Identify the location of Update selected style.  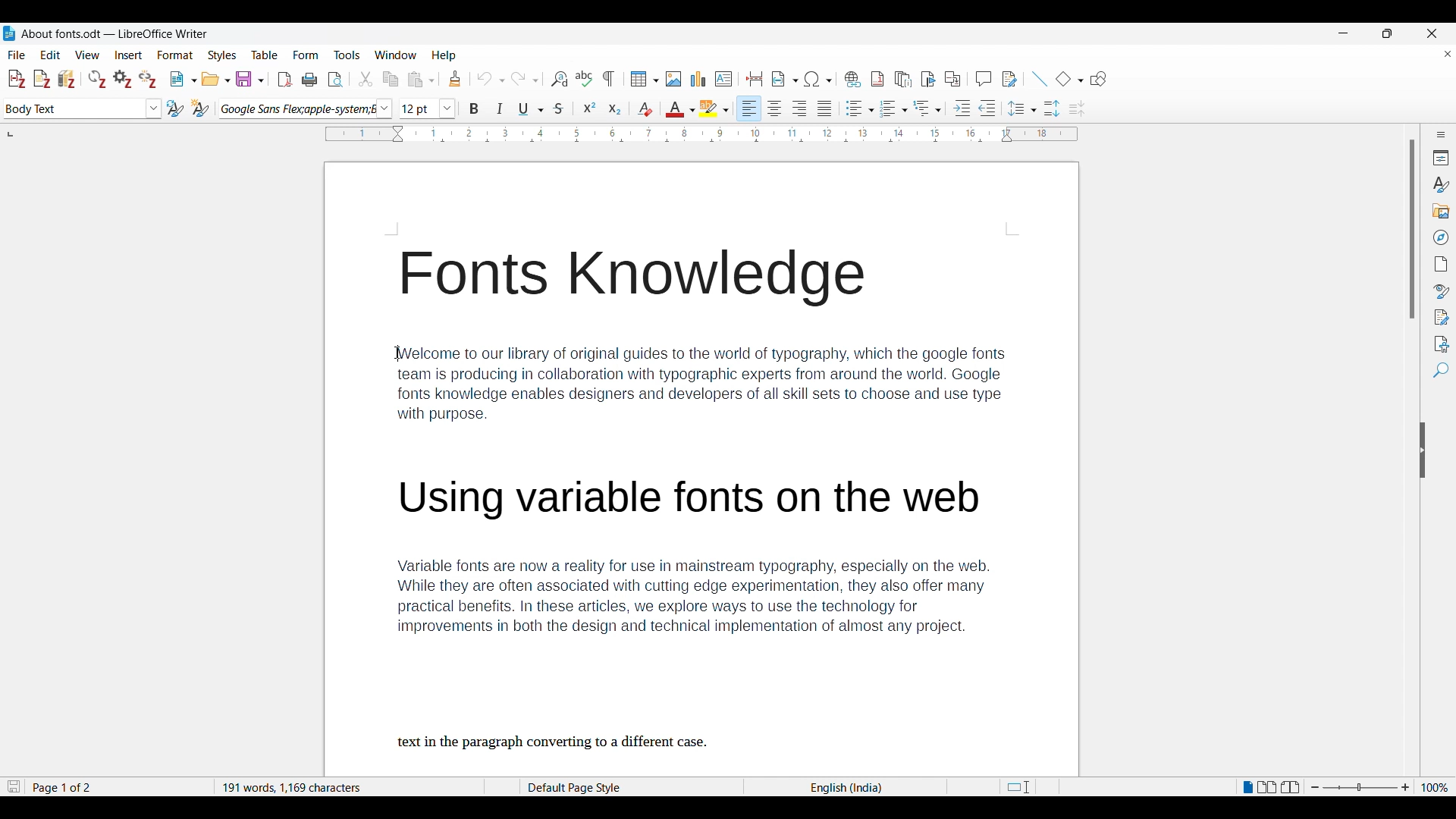
(175, 108).